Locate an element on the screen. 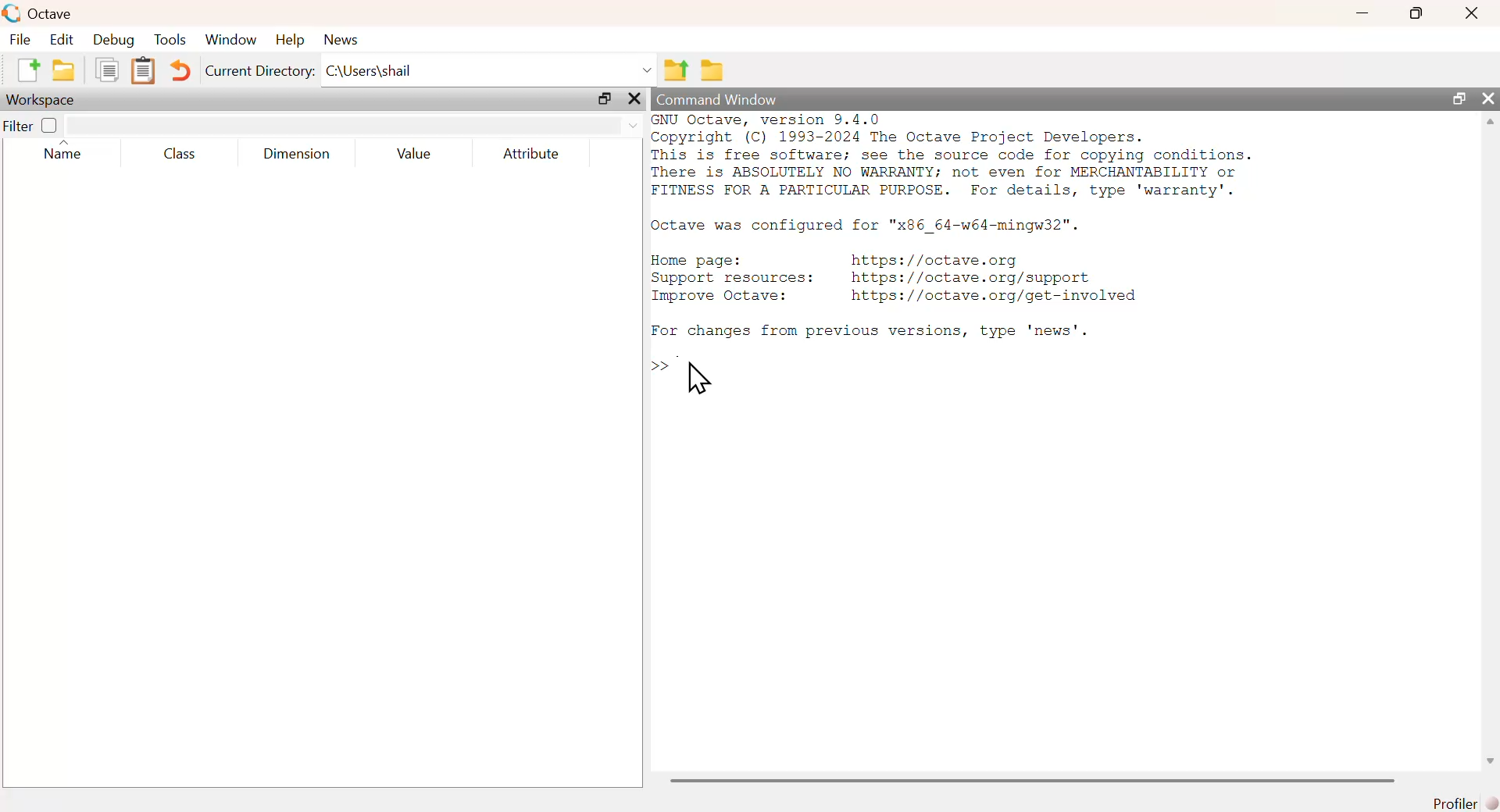  Attribute is located at coordinates (533, 155).